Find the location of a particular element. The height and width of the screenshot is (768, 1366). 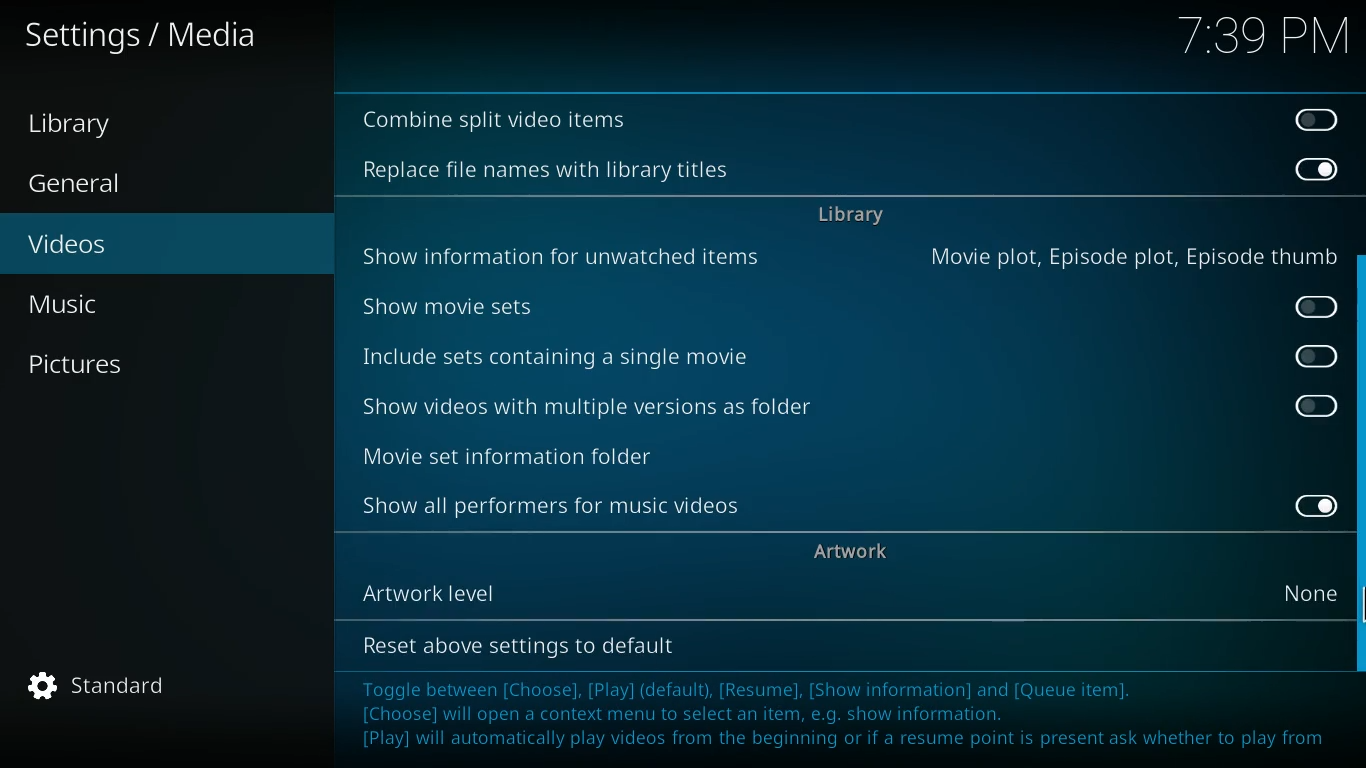

reset above setting to default is located at coordinates (518, 646).